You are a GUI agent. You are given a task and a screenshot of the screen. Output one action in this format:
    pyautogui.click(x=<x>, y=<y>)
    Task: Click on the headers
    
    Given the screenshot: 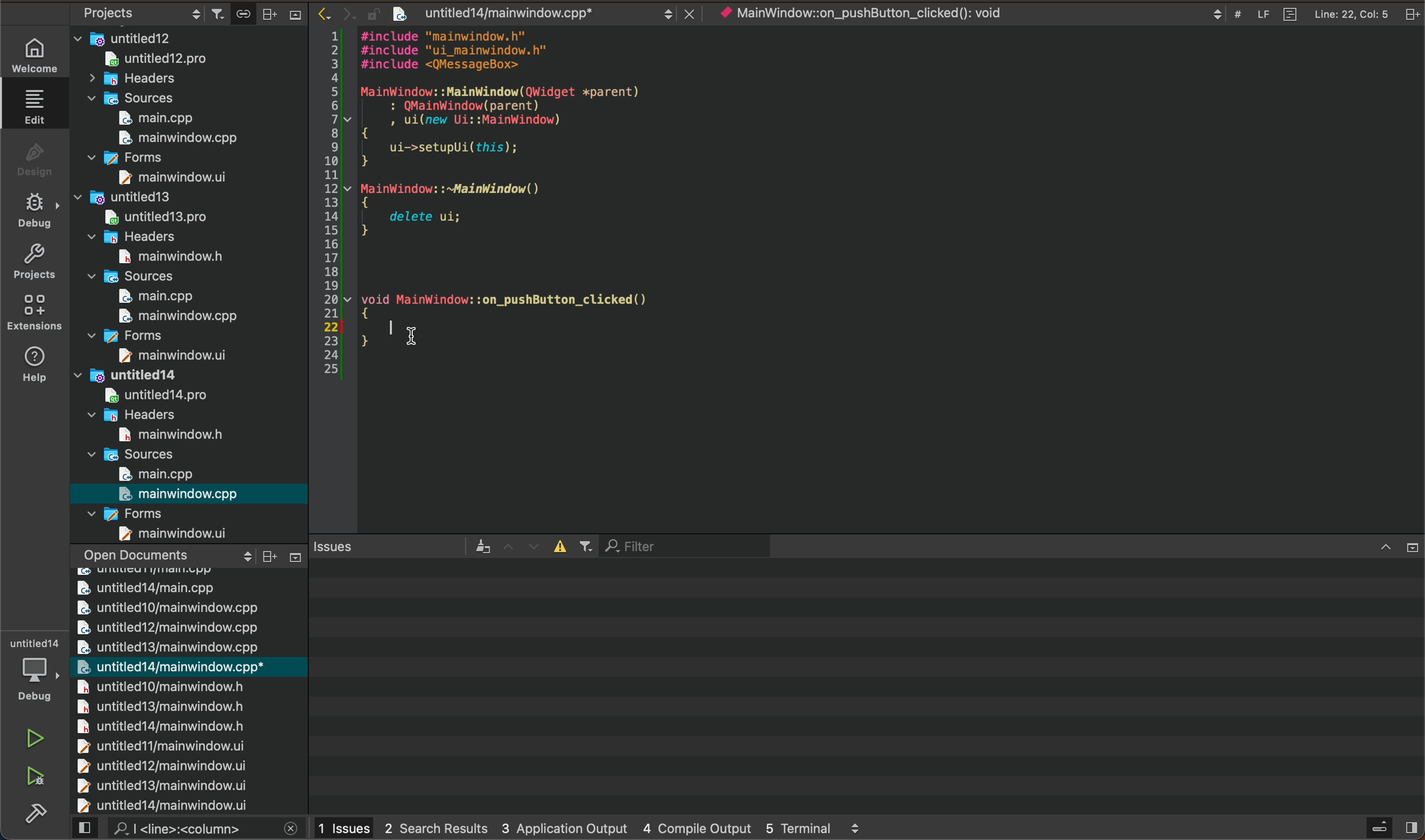 What is the action you would take?
    pyautogui.click(x=143, y=236)
    